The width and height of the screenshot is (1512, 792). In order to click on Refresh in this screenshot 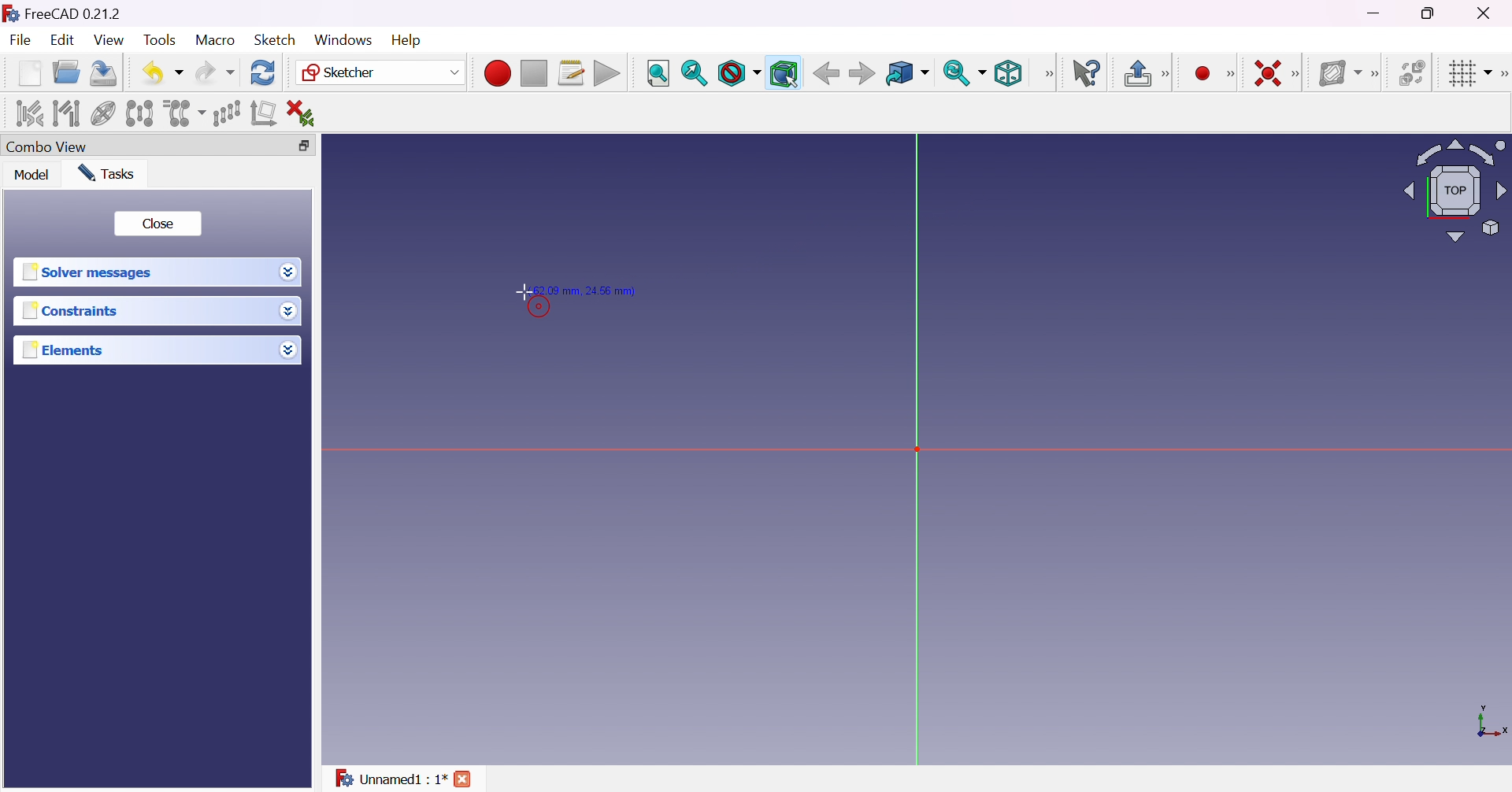, I will do `click(263, 72)`.